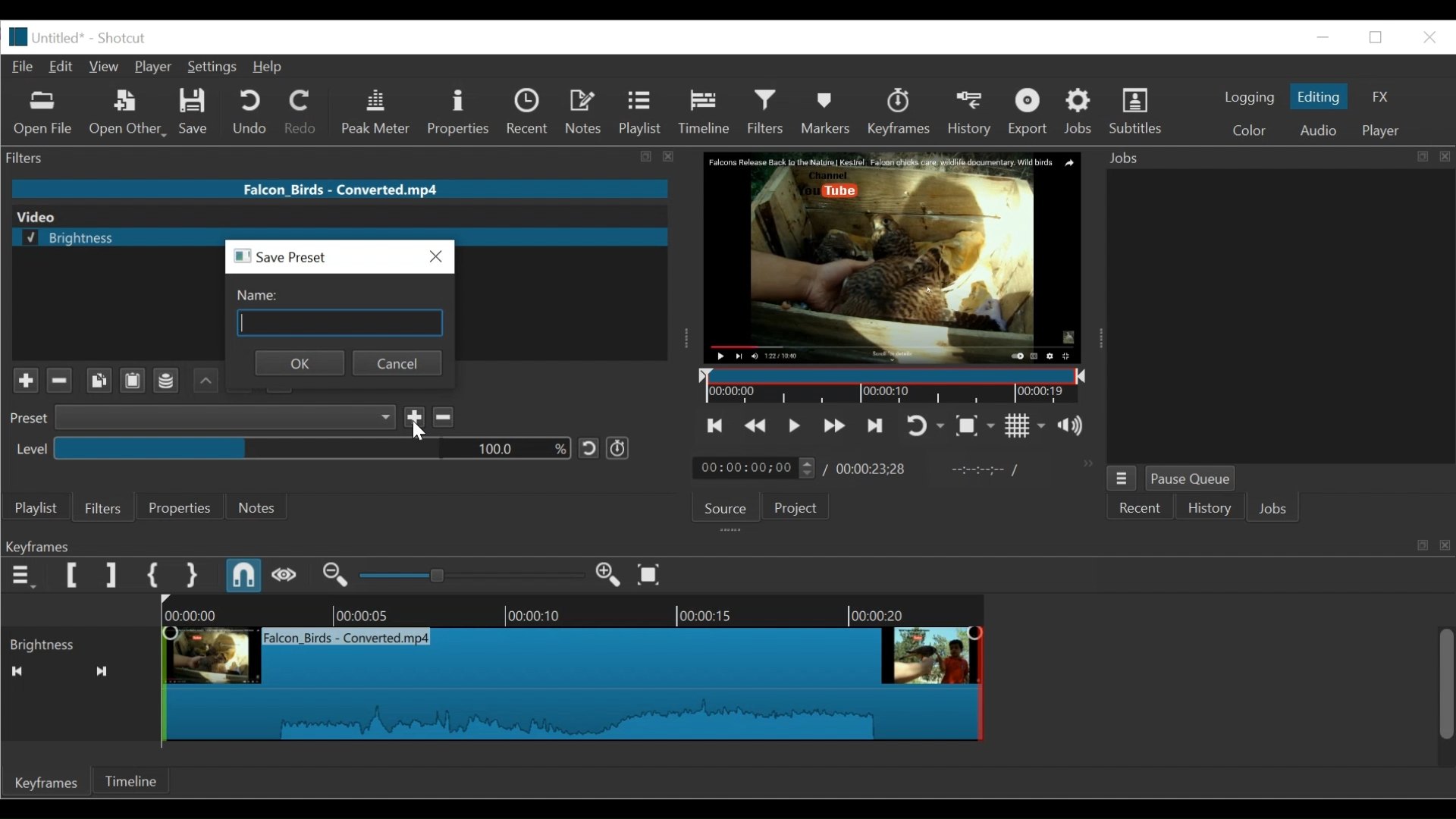  Describe the element at coordinates (588, 449) in the screenshot. I see `Reset to Default` at that location.